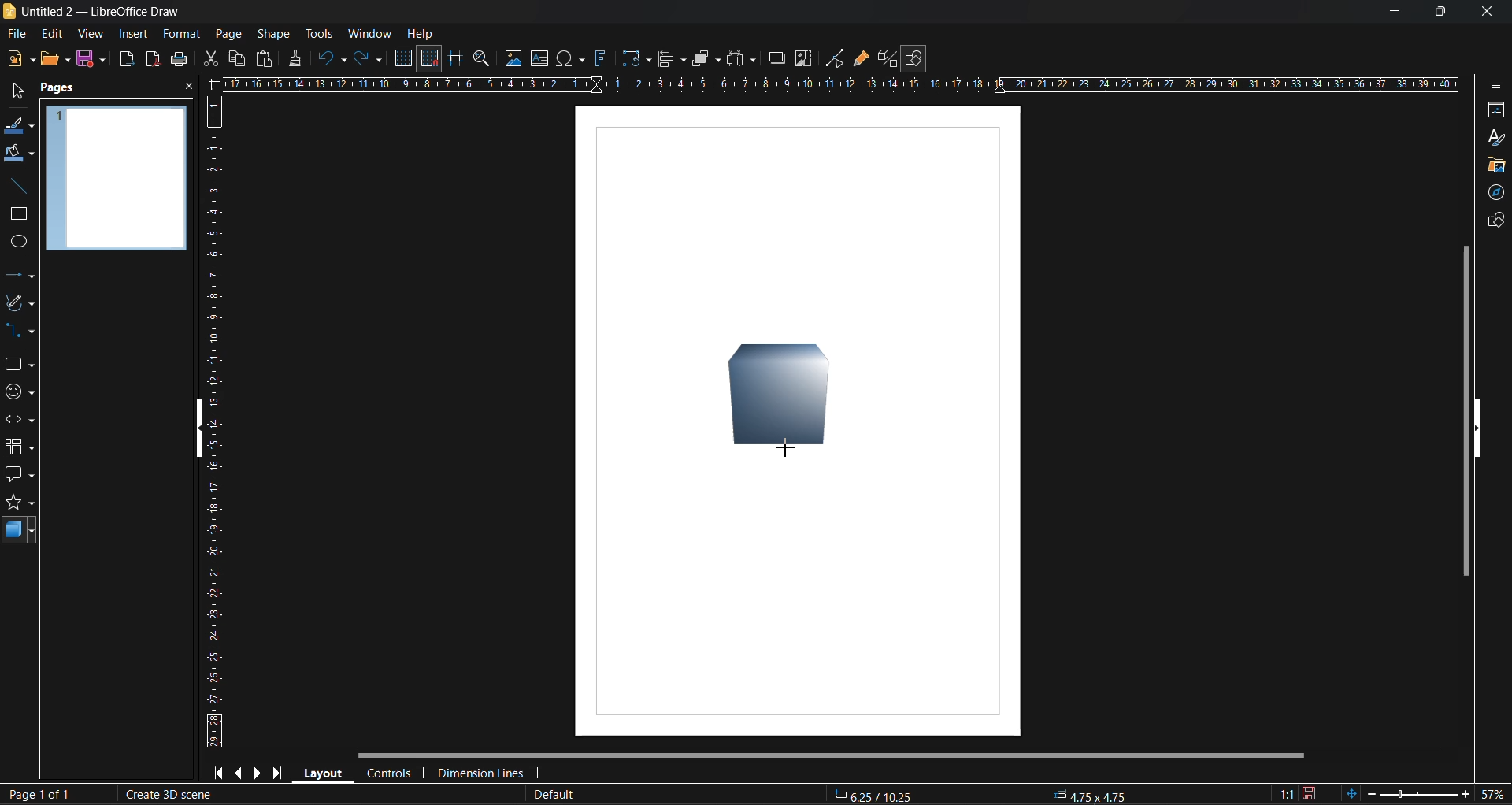 The image size is (1512, 805). I want to click on previous, so click(241, 772).